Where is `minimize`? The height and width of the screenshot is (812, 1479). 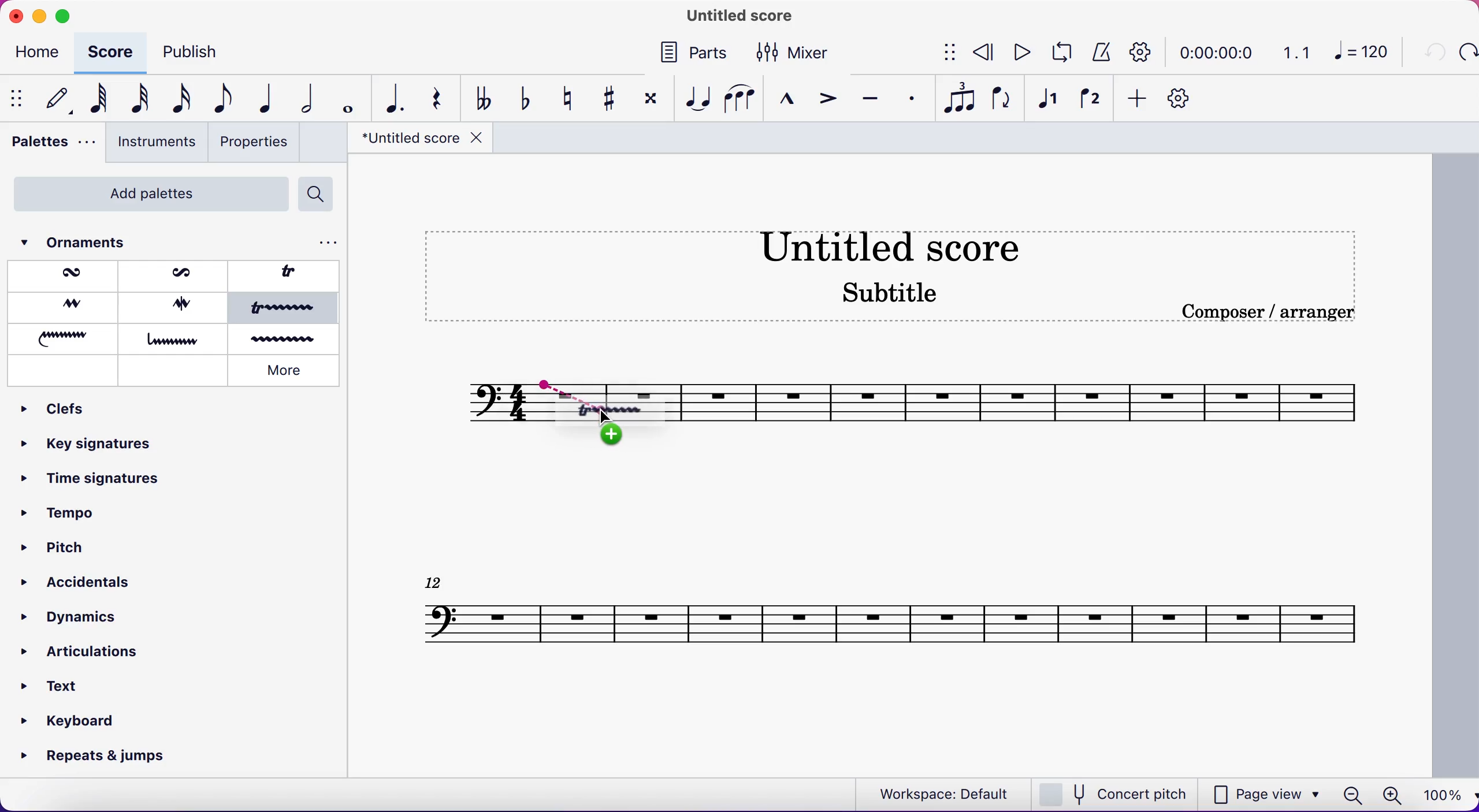
minimize is located at coordinates (39, 14).